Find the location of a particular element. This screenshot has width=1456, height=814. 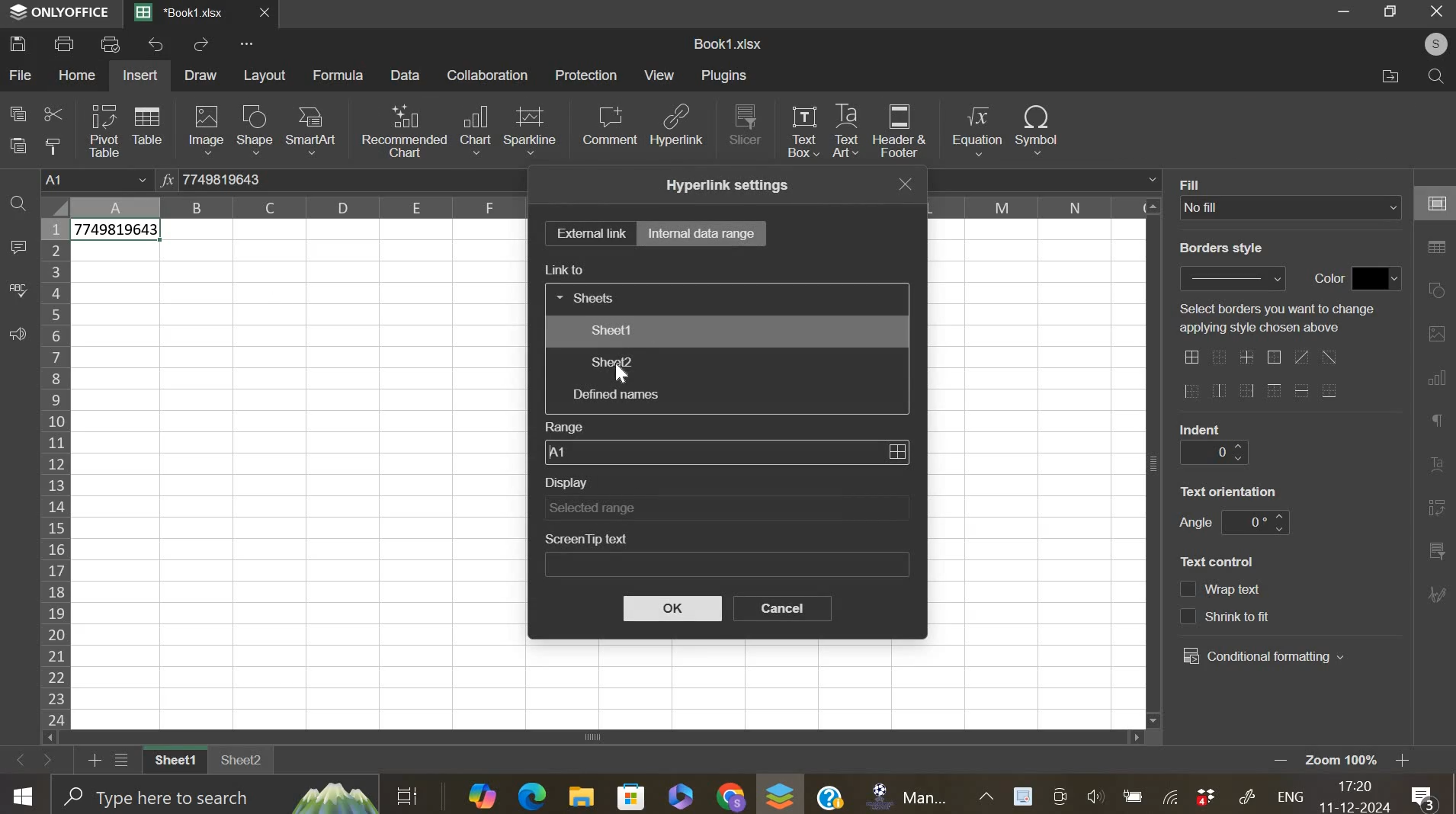

list sheets is located at coordinates (126, 761).